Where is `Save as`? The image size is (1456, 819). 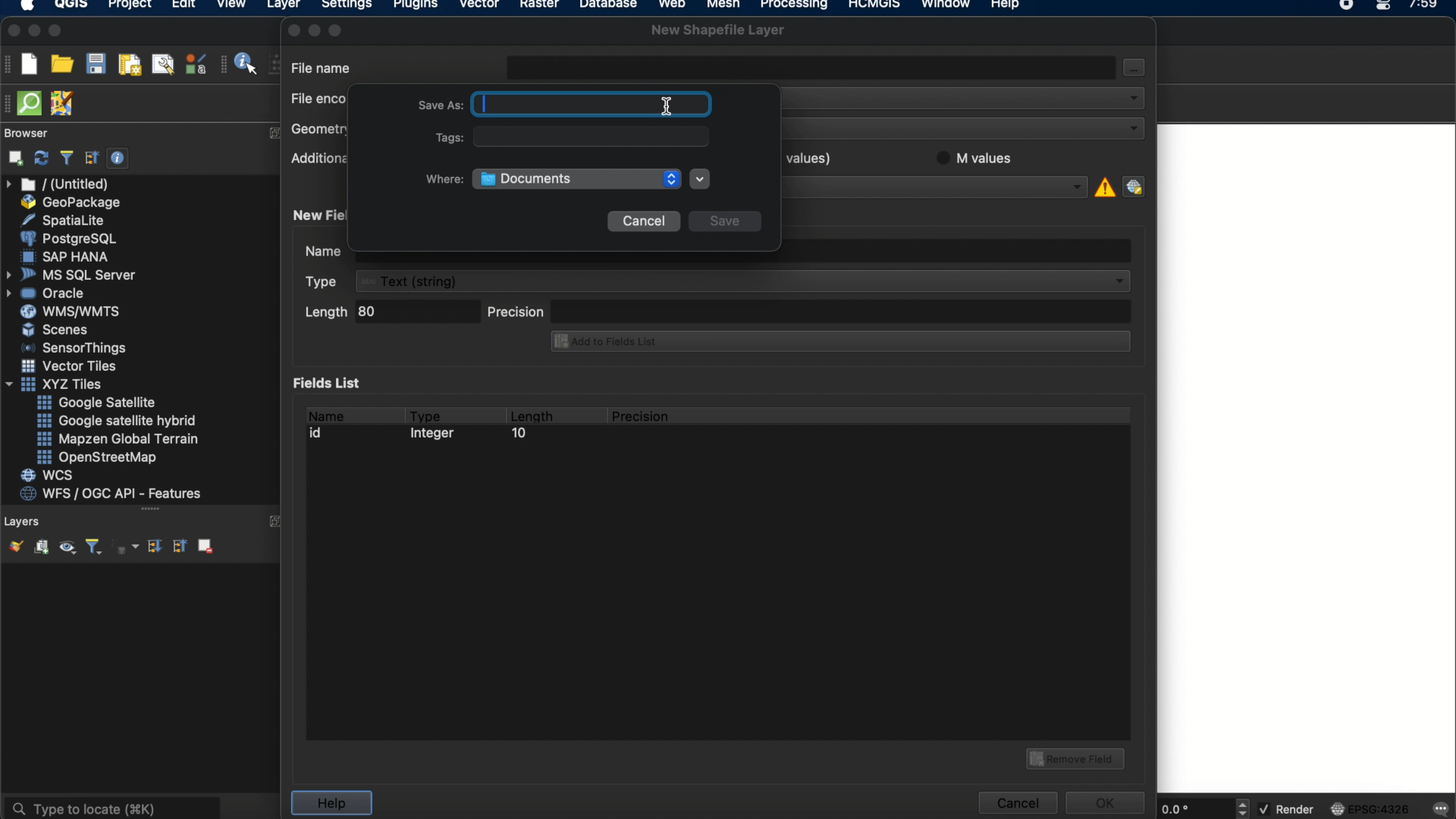
Save as is located at coordinates (436, 103).